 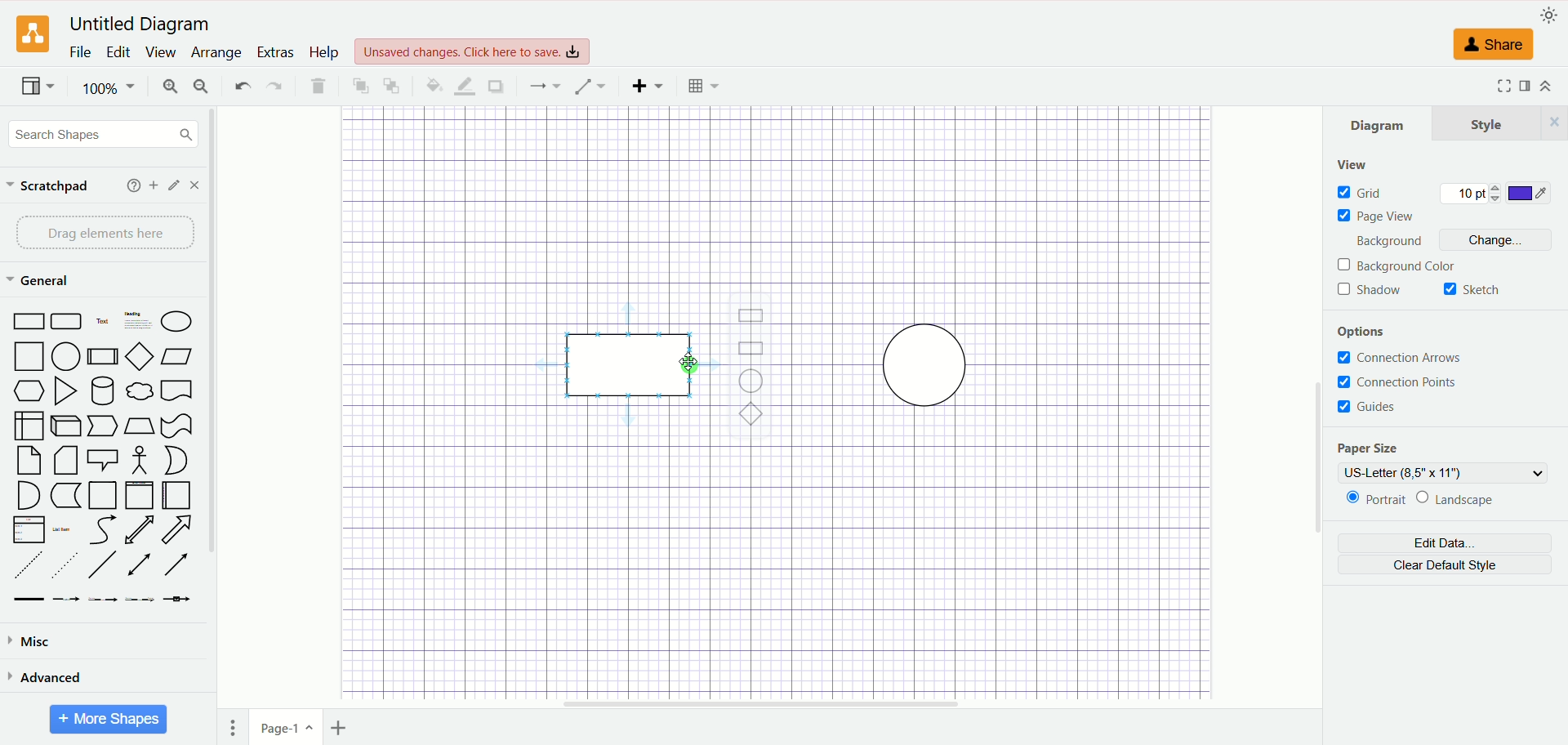 I want to click on Diamond, so click(x=751, y=416).